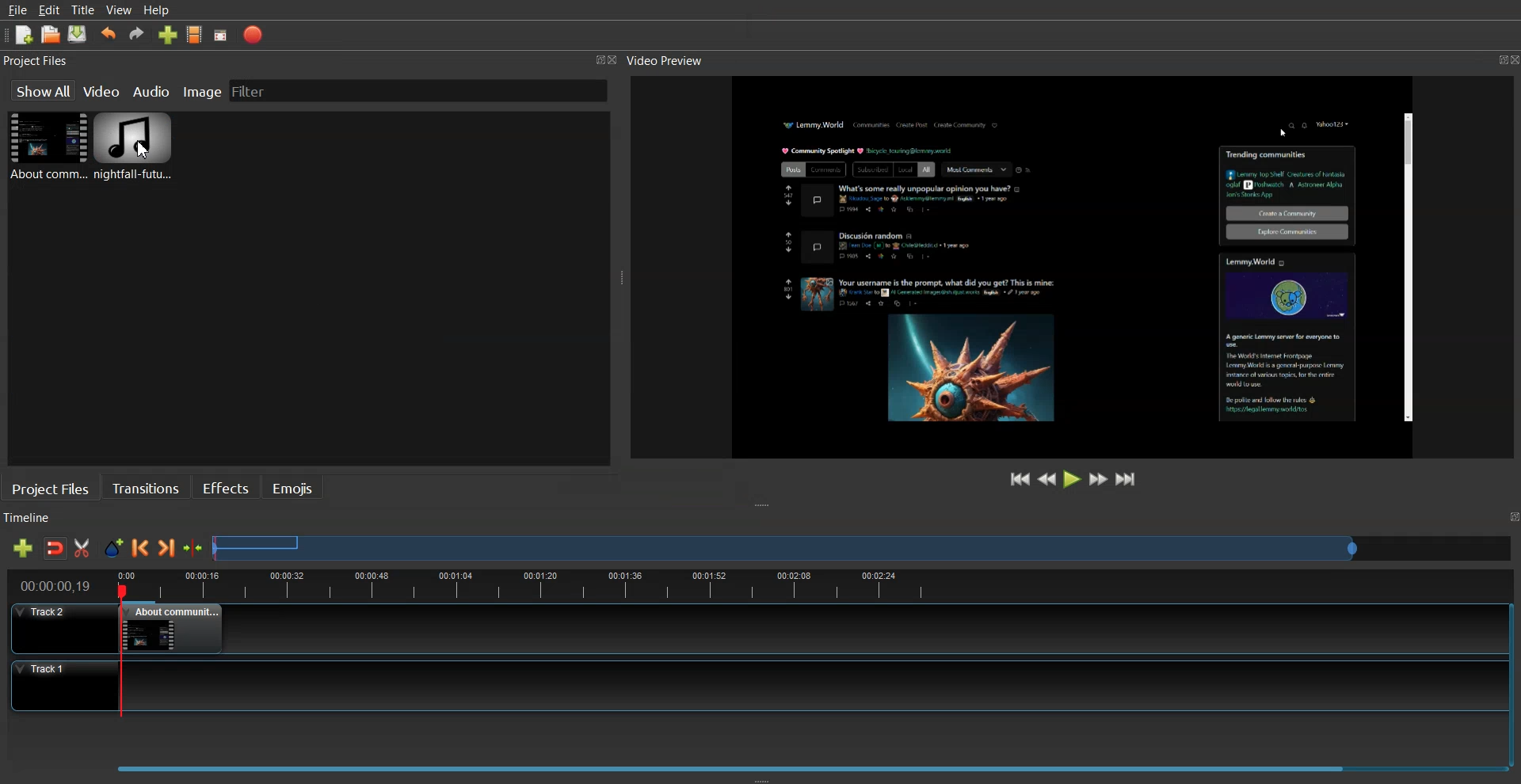  I want to click on New Project, so click(25, 36).